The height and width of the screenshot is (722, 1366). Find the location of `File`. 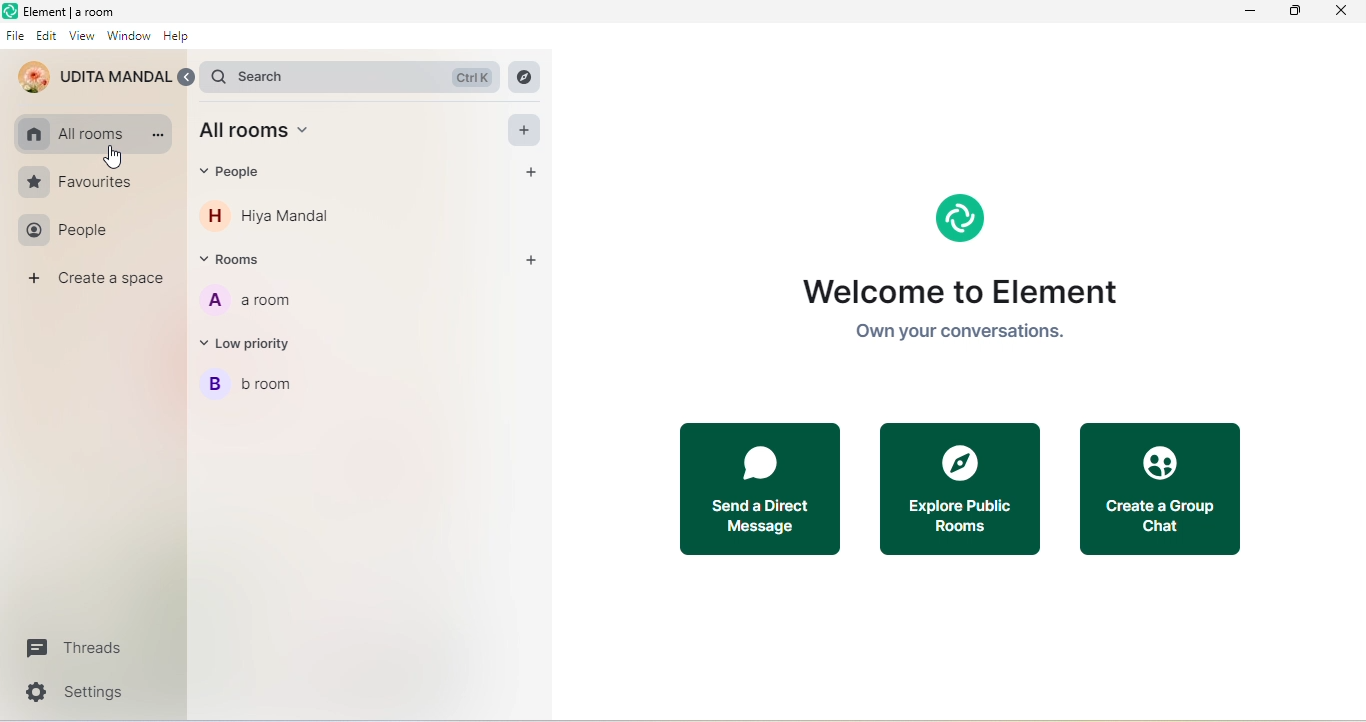

File is located at coordinates (14, 35).